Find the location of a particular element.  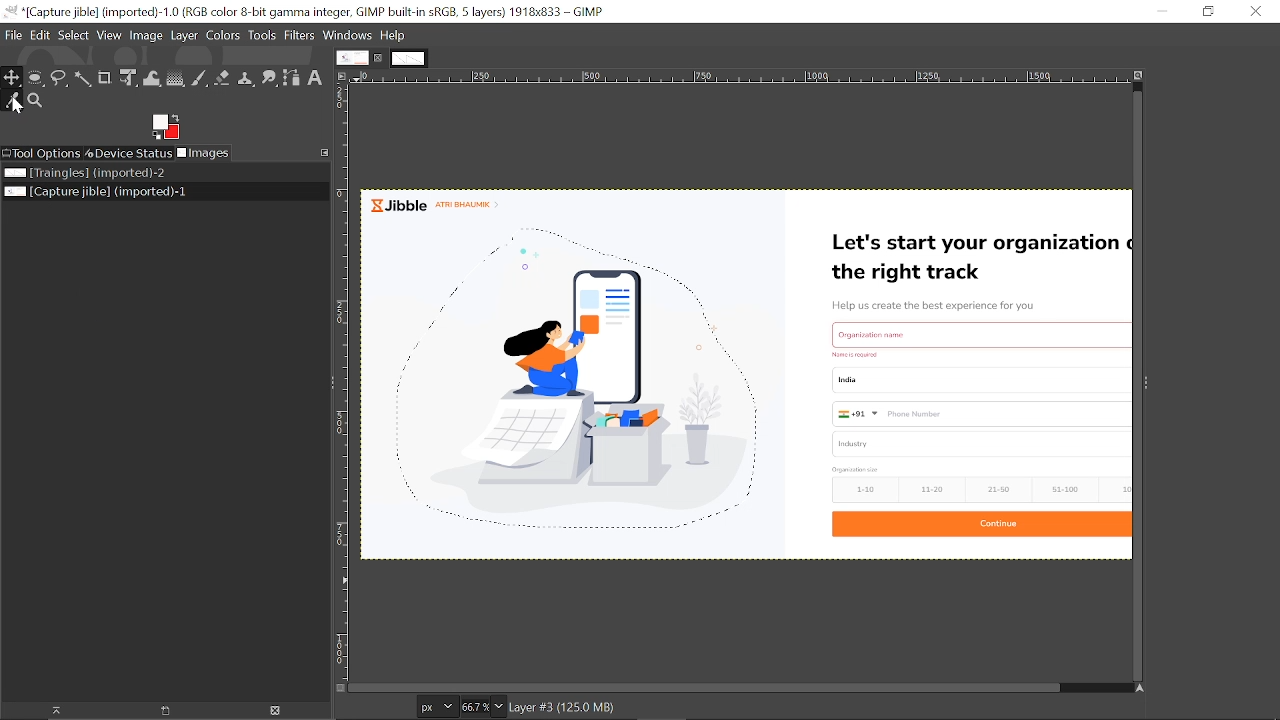

Tools is located at coordinates (261, 35).